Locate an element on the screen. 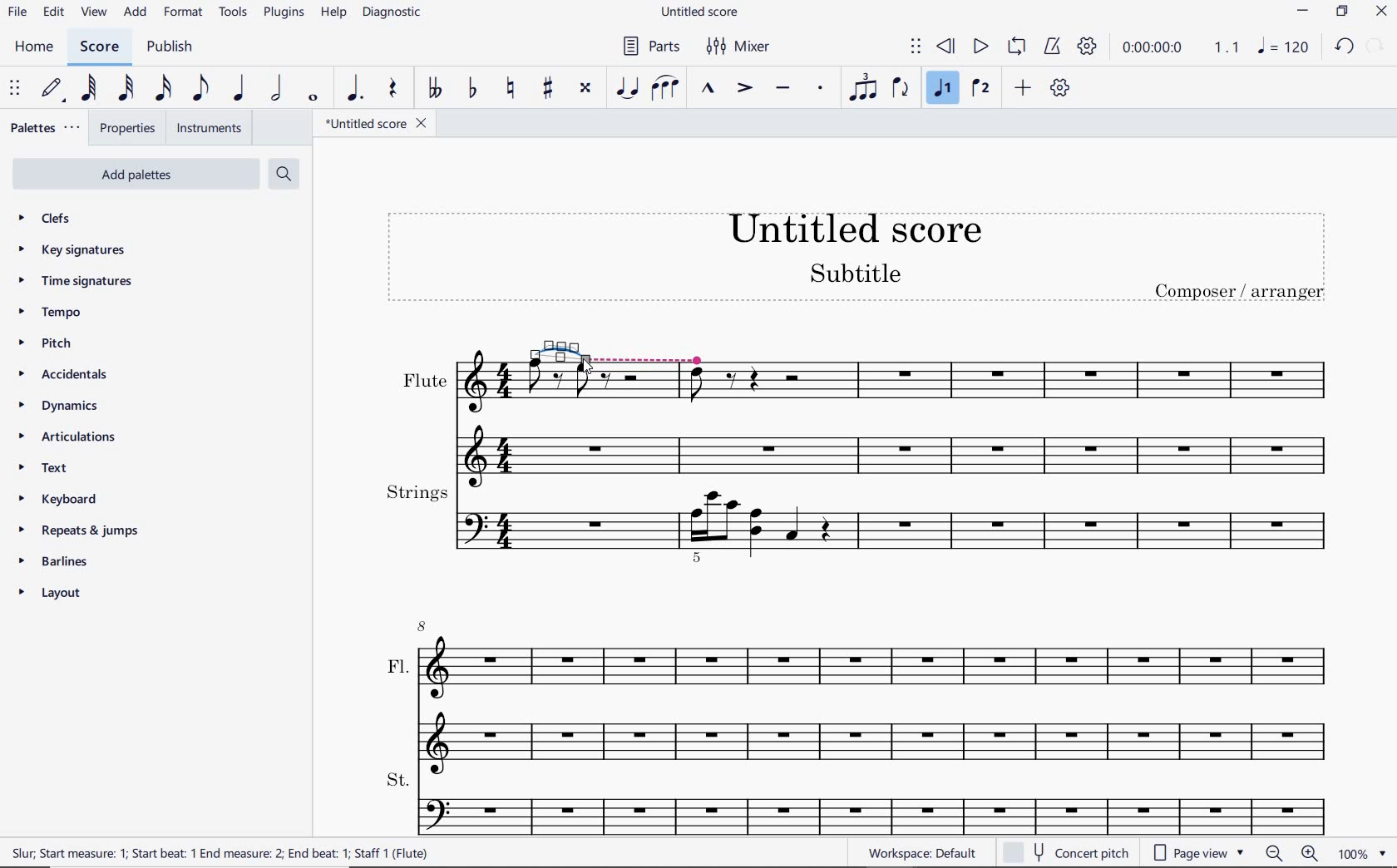 The height and width of the screenshot is (868, 1397). minimize is located at coordinates (1304, 13).